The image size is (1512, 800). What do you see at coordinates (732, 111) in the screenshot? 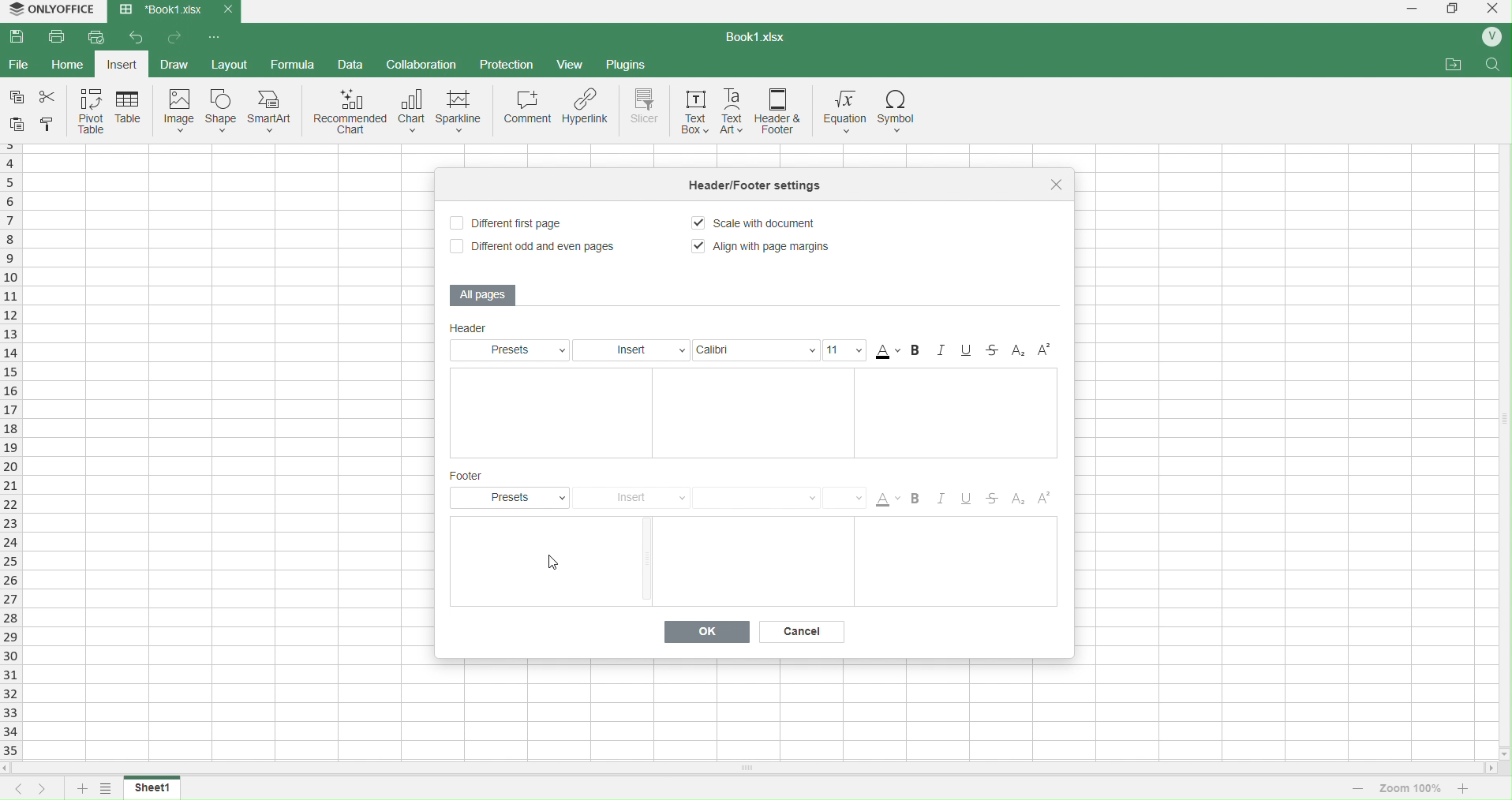
I see `text art` at bounding box center [732, 111].